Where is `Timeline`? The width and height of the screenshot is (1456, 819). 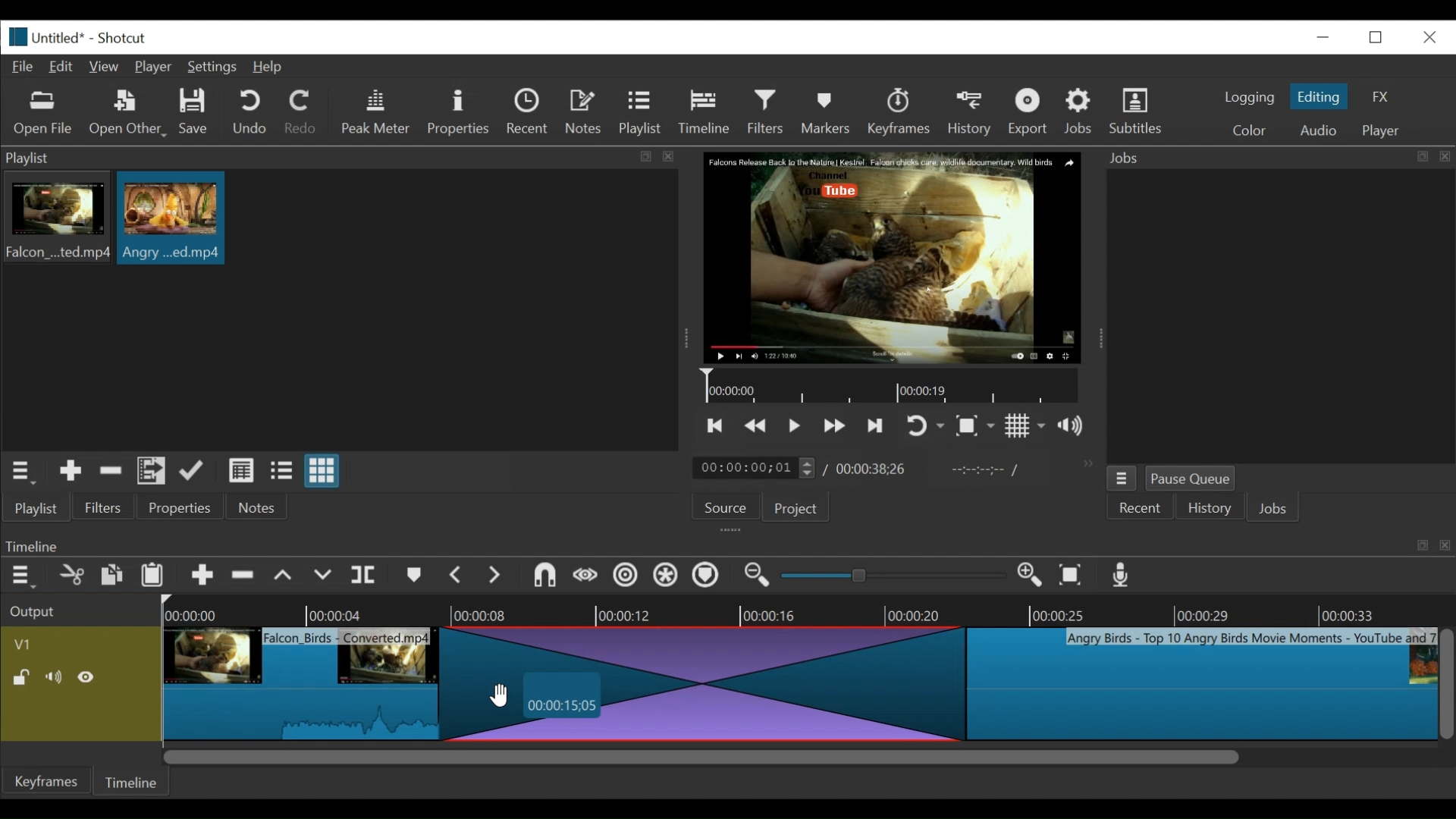 Timeline is located at coordinates (894, 387).